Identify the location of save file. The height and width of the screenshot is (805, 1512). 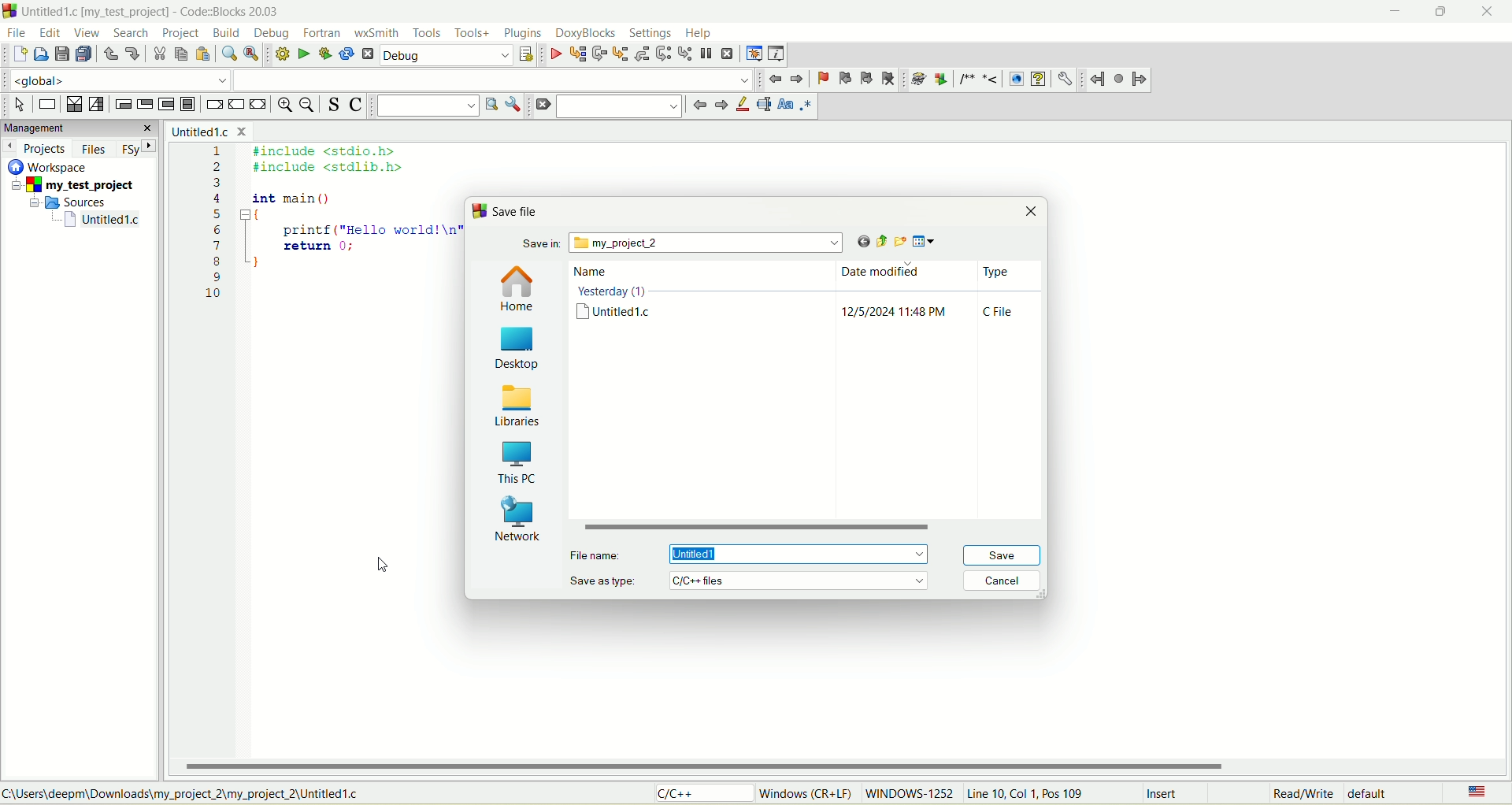
(513, 212).